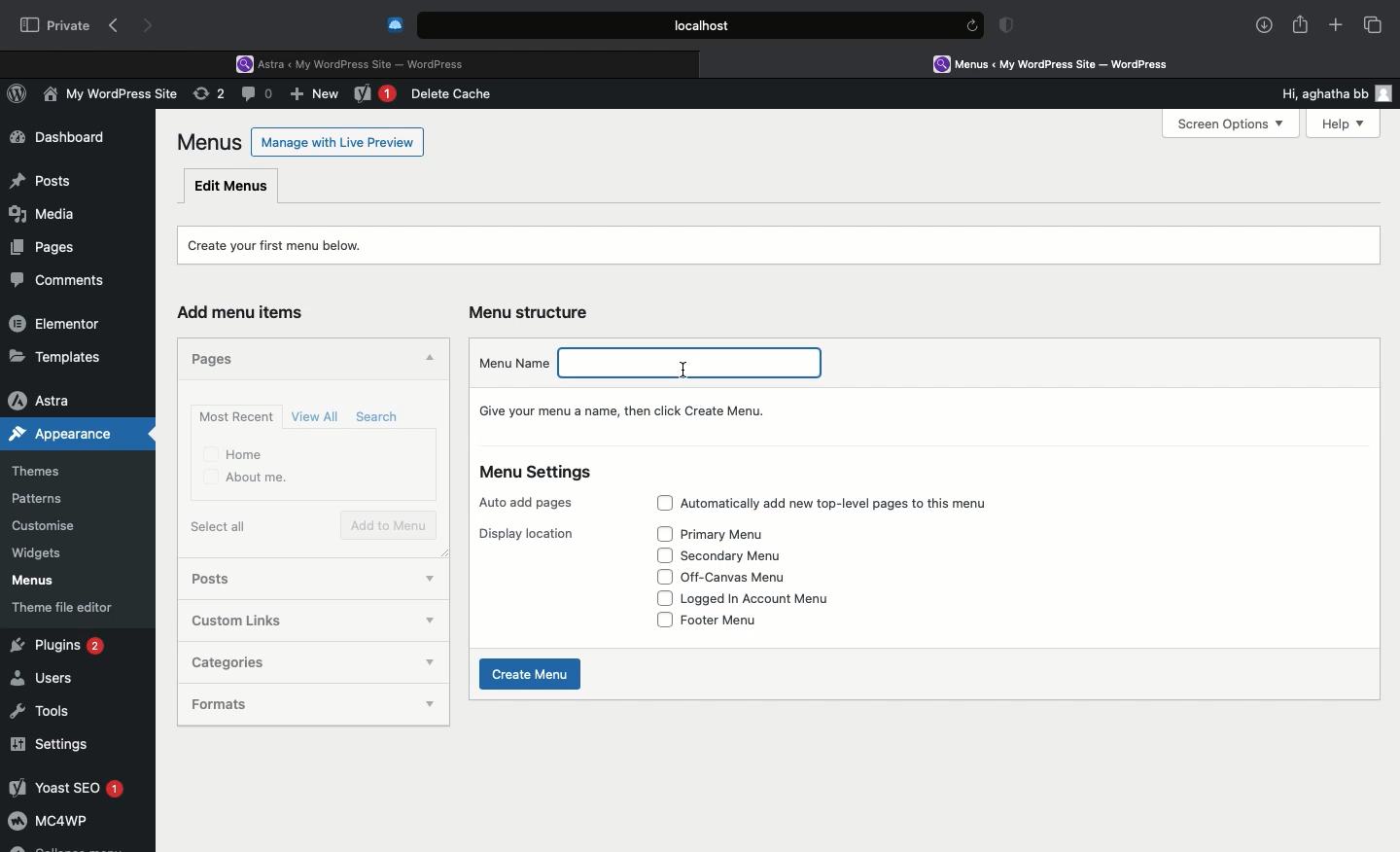  Describe the element at coordinates (45, 211) in the screenshot. I see `Media` at that location.